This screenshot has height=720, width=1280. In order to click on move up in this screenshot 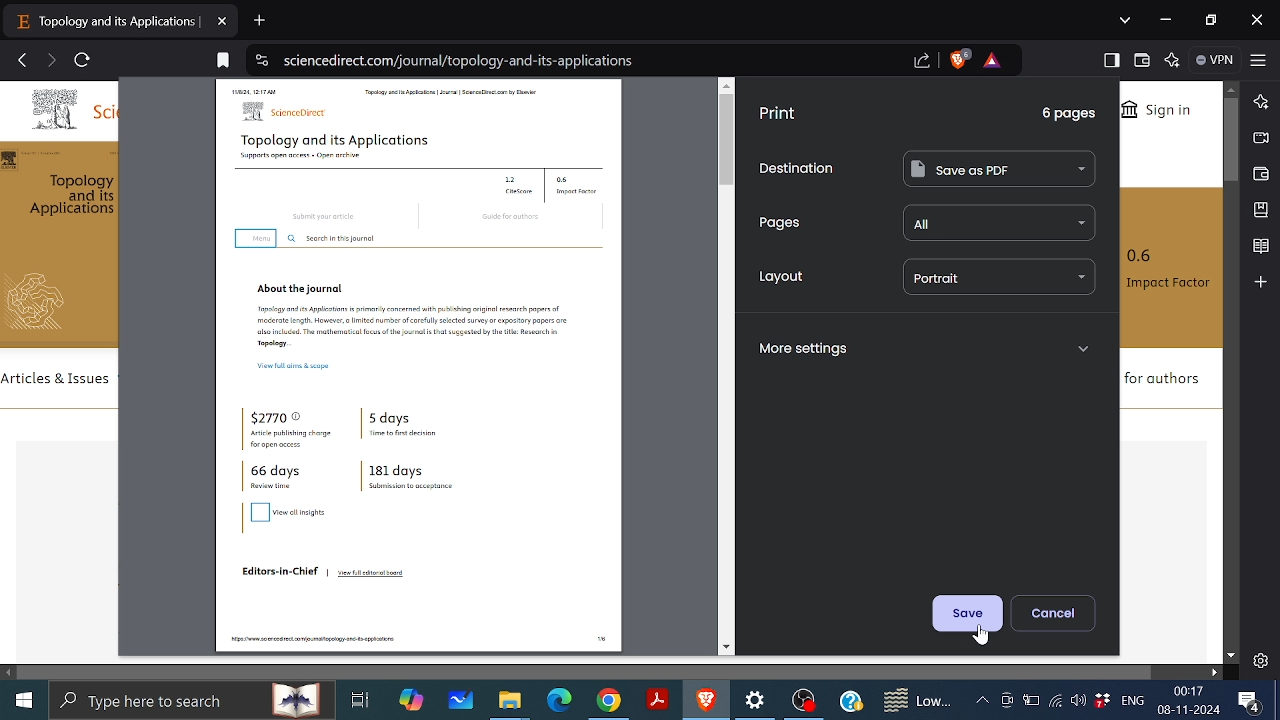, I will do `click(726, 83)`.